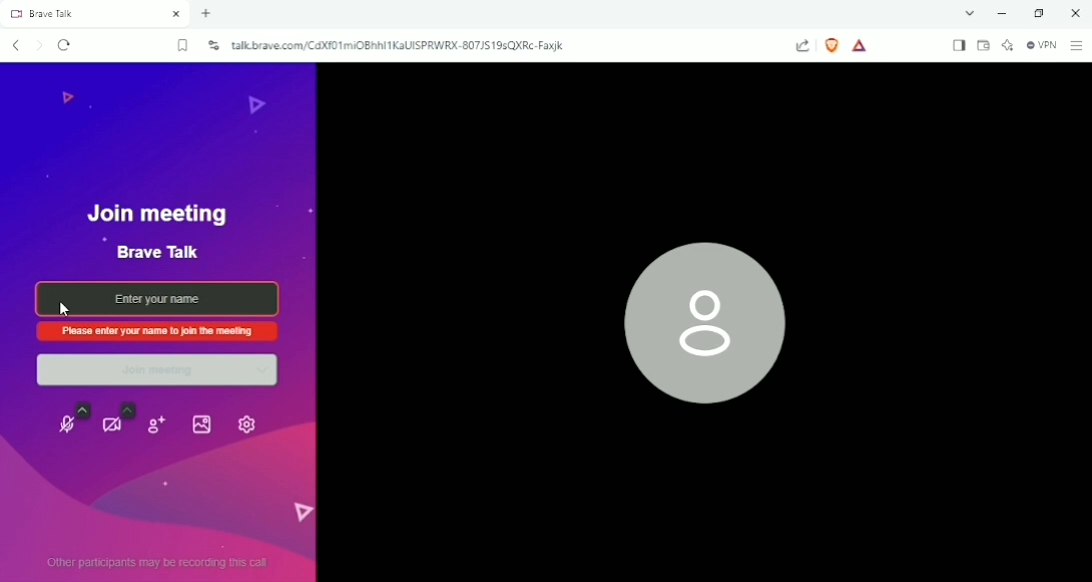  What do you see at coordinates (182, 46) in the screenshot?
I see `Bookmark this tab` at bounding box center [182, 46].